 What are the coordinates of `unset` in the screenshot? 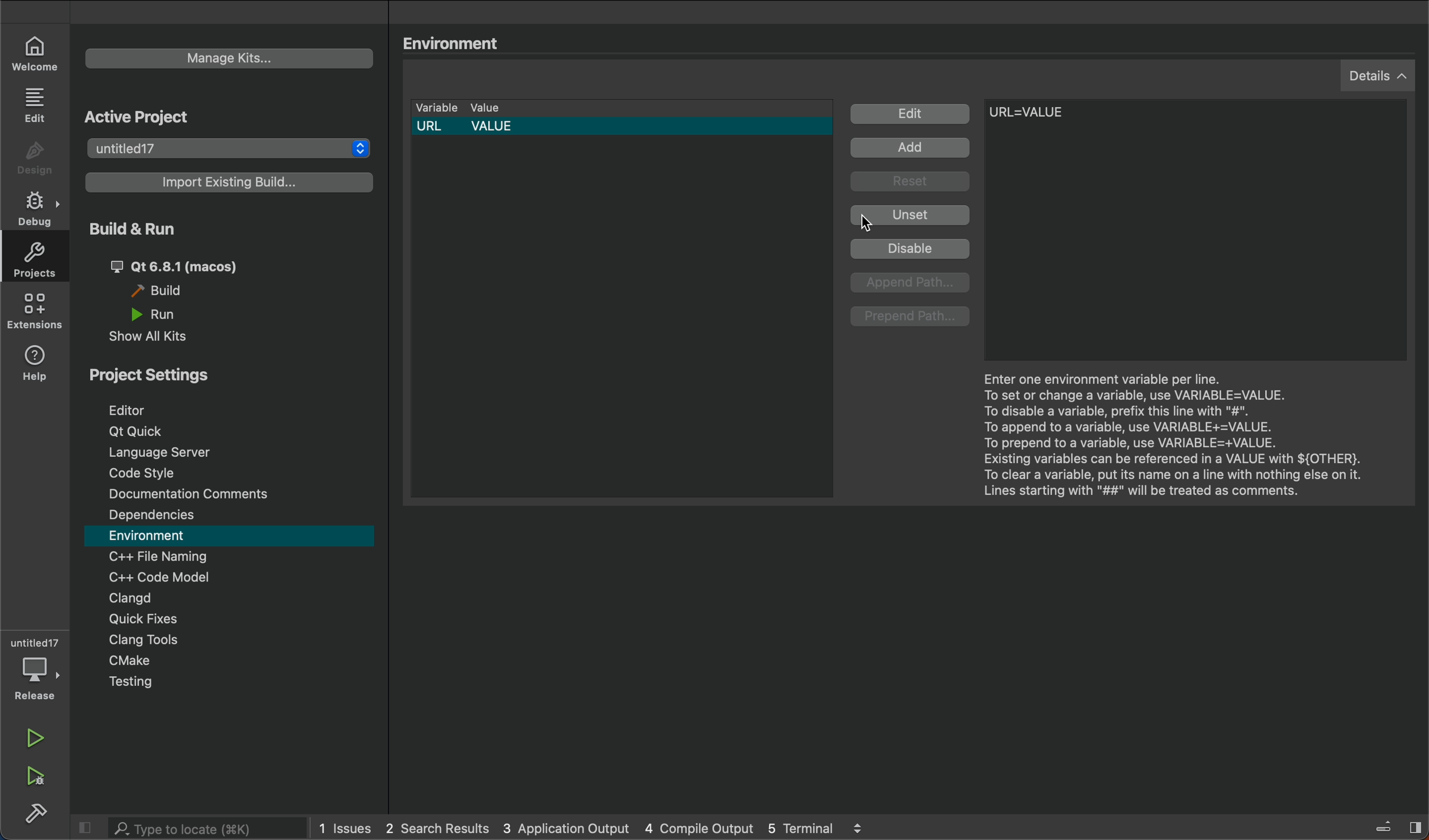 It's located at (910, 215).